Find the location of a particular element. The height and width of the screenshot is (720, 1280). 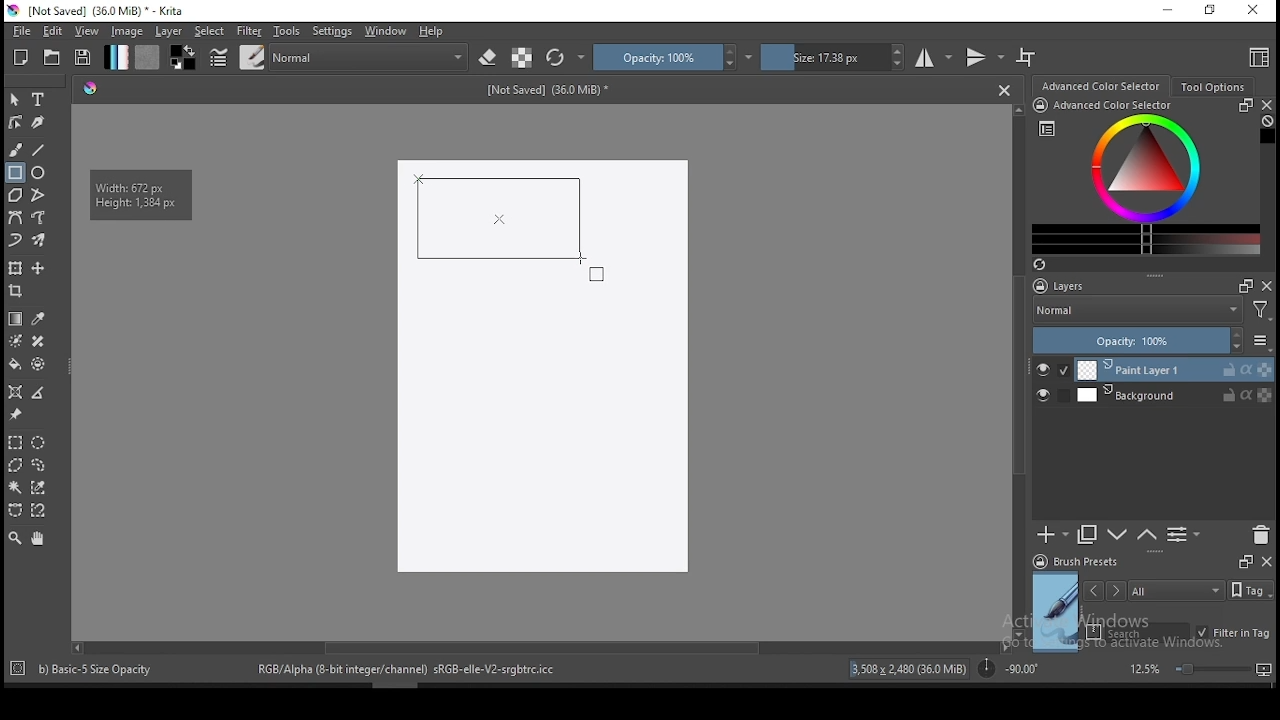

zoom tool is located at coordinates (15, 537).